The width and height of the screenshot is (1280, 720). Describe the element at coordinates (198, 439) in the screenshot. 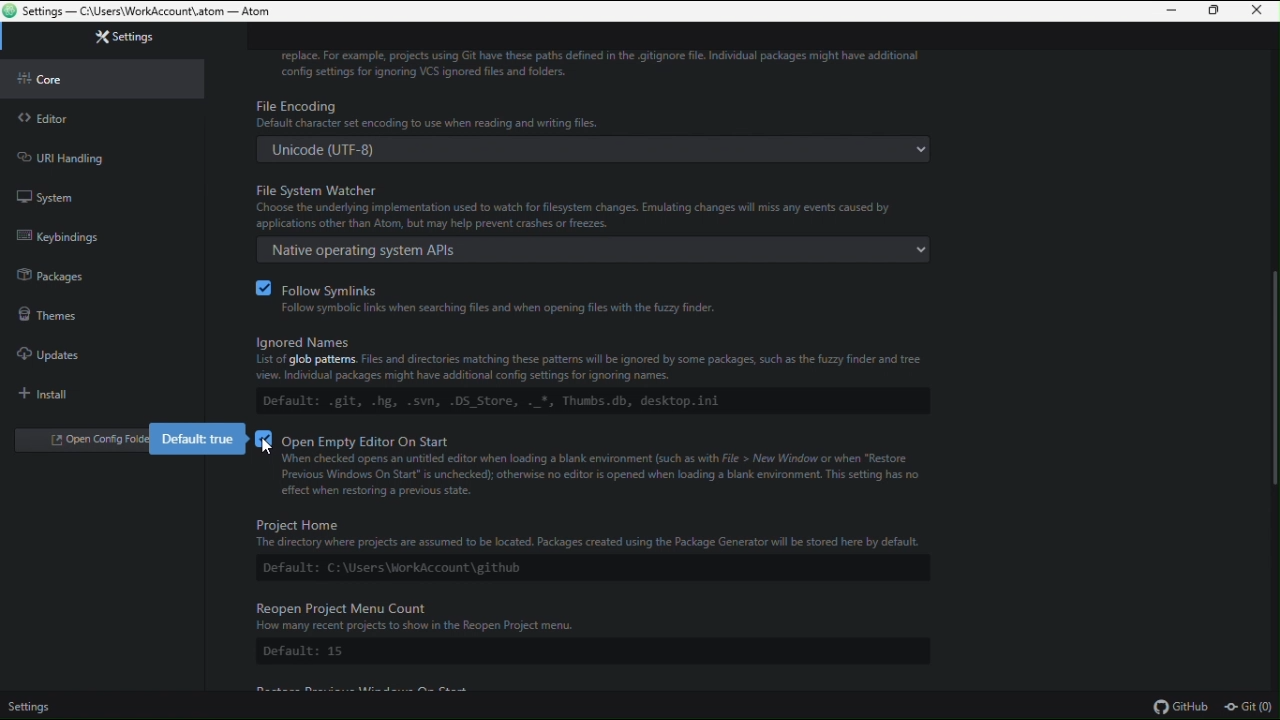

I see `default value` at that location.